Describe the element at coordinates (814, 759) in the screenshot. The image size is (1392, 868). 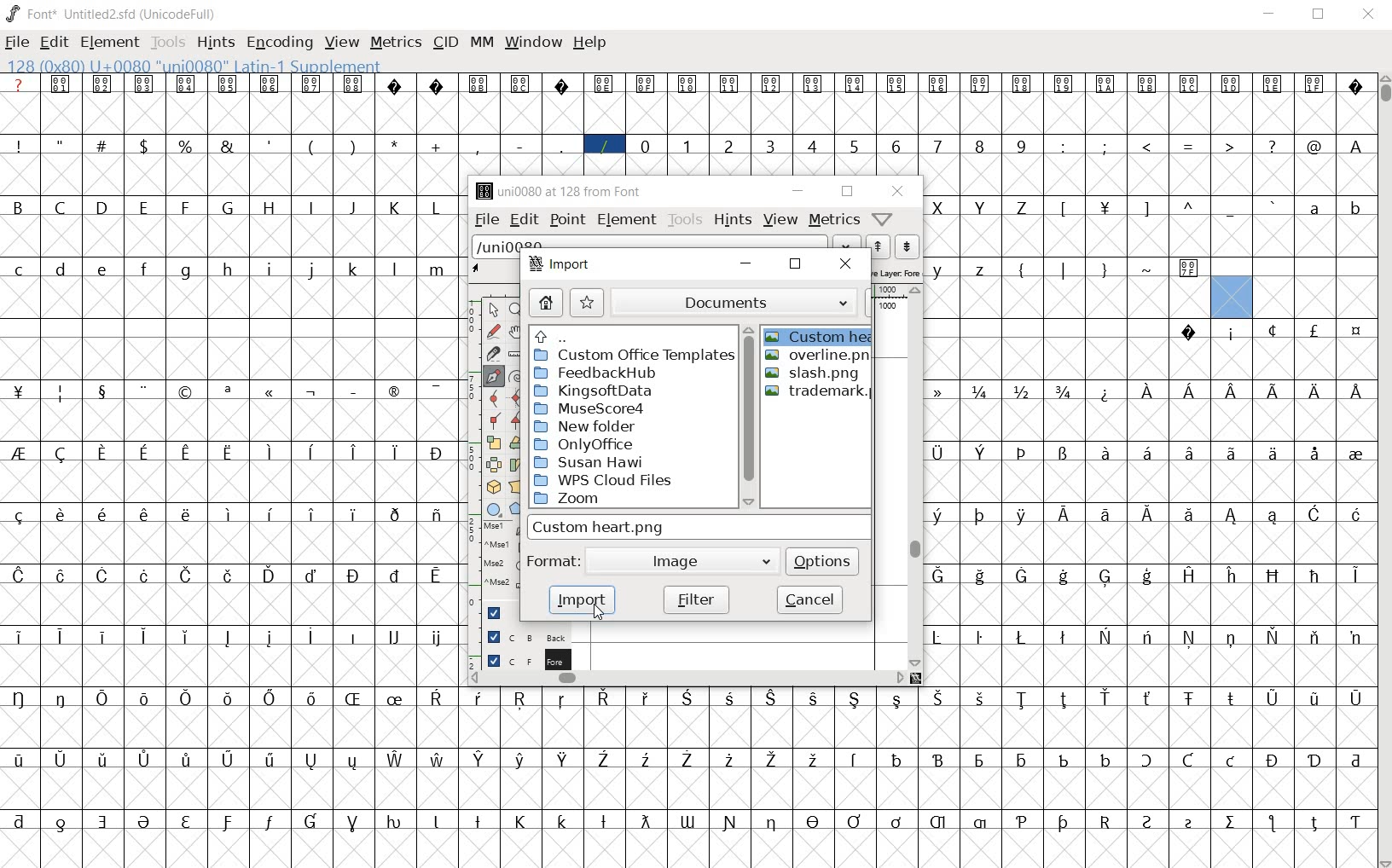
I see `glyph` at that location.